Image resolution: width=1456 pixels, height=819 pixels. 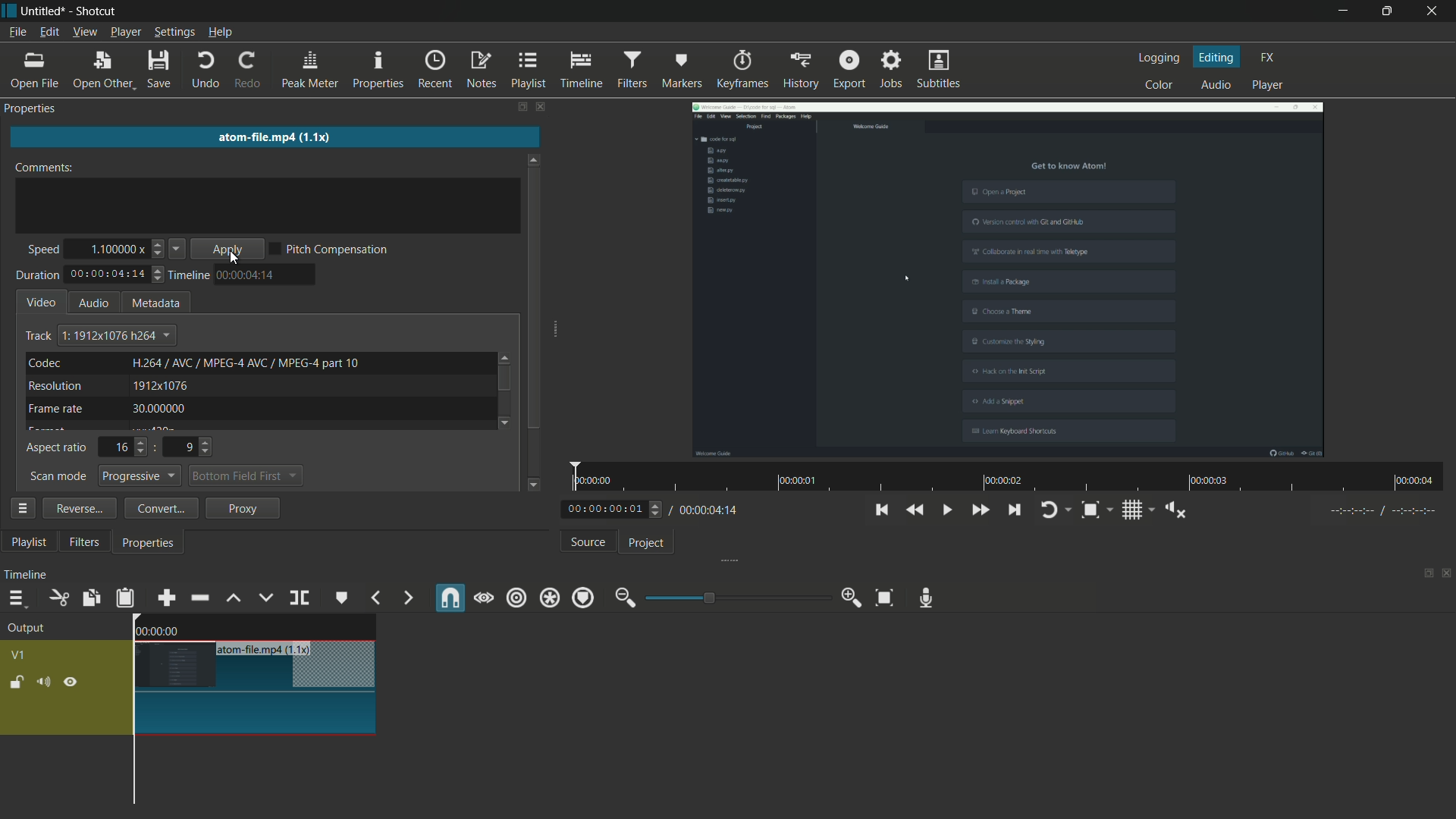 What do you see at coordinates (56, 387) in the screenshot?
I see `resolution` at bounding box center [56, 387].